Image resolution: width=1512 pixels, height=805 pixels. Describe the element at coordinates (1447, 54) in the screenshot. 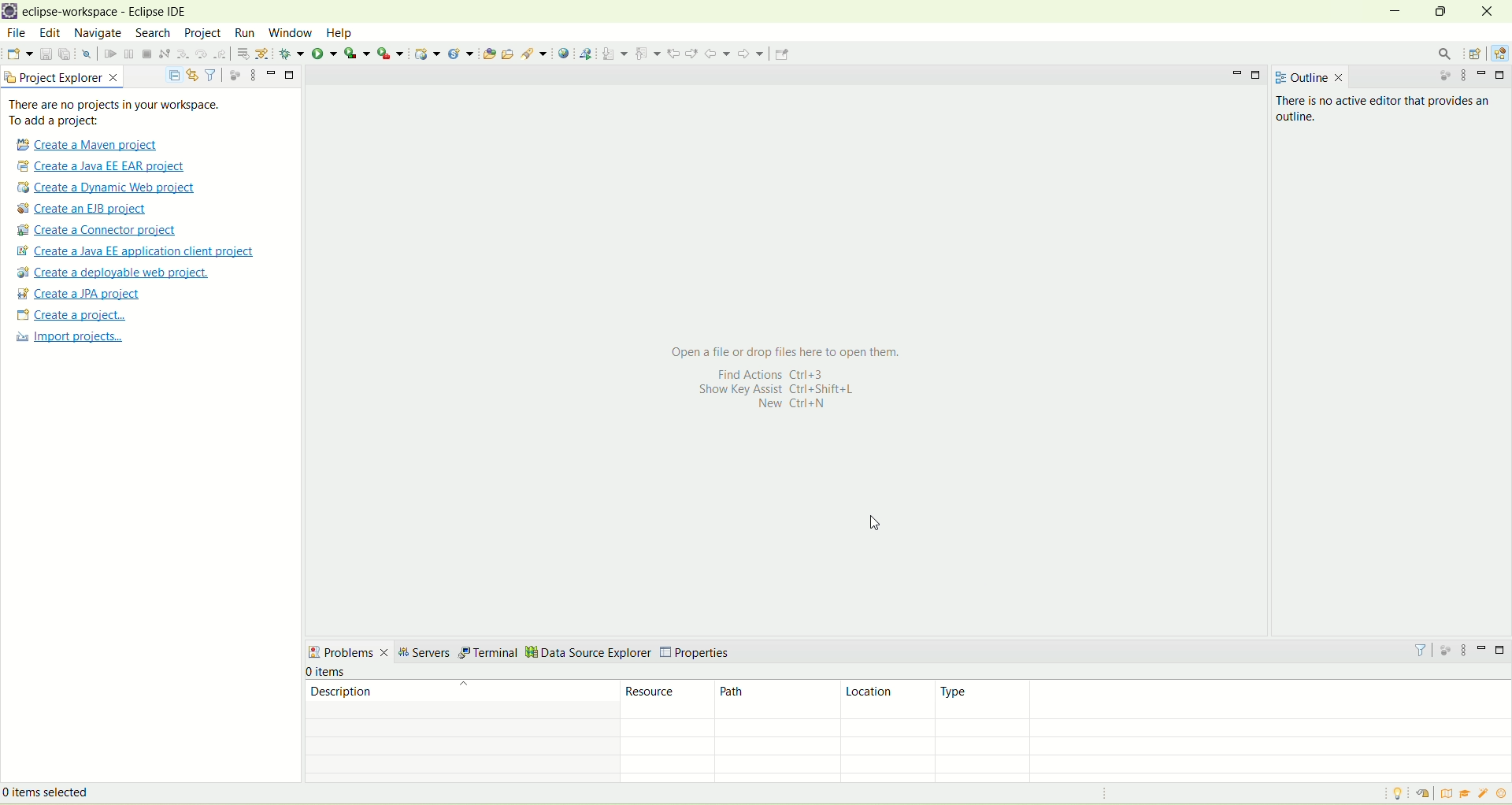

I see `search` at that location.